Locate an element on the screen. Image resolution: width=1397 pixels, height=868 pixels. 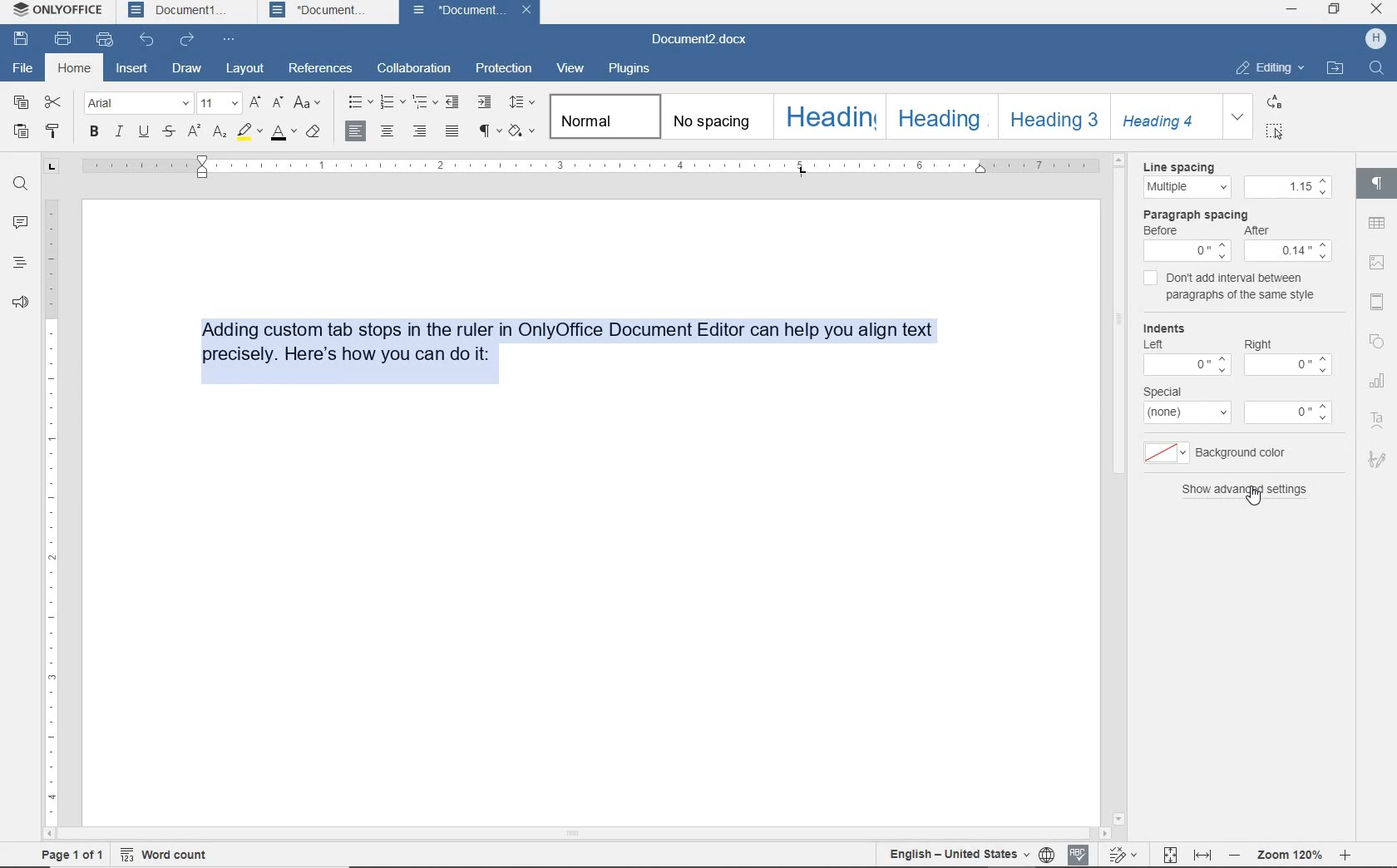
plugins is located at coordinates (633, 71).